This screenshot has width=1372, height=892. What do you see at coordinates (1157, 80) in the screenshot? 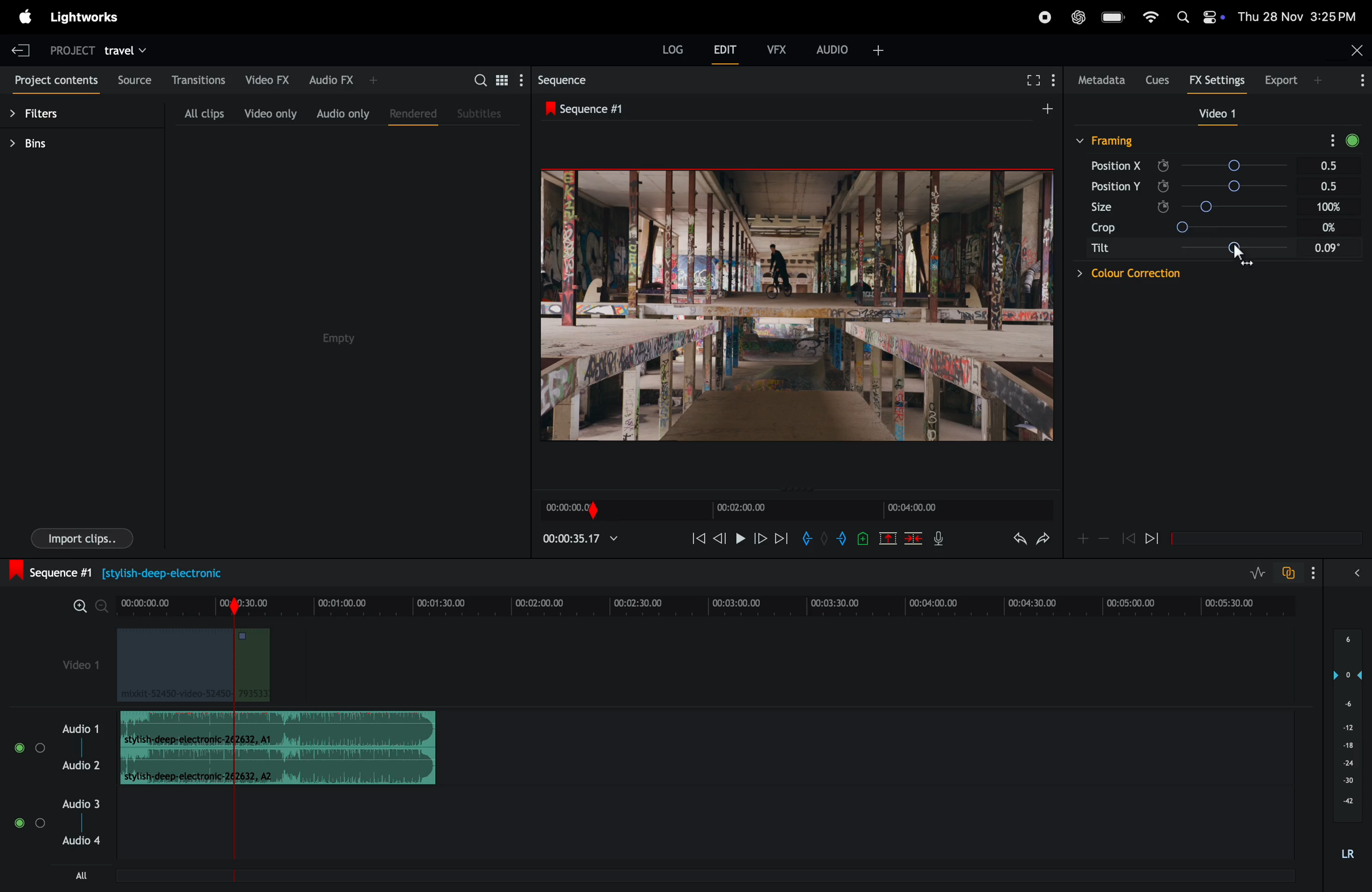
I see `cues` at bounding box center [1157, 80].